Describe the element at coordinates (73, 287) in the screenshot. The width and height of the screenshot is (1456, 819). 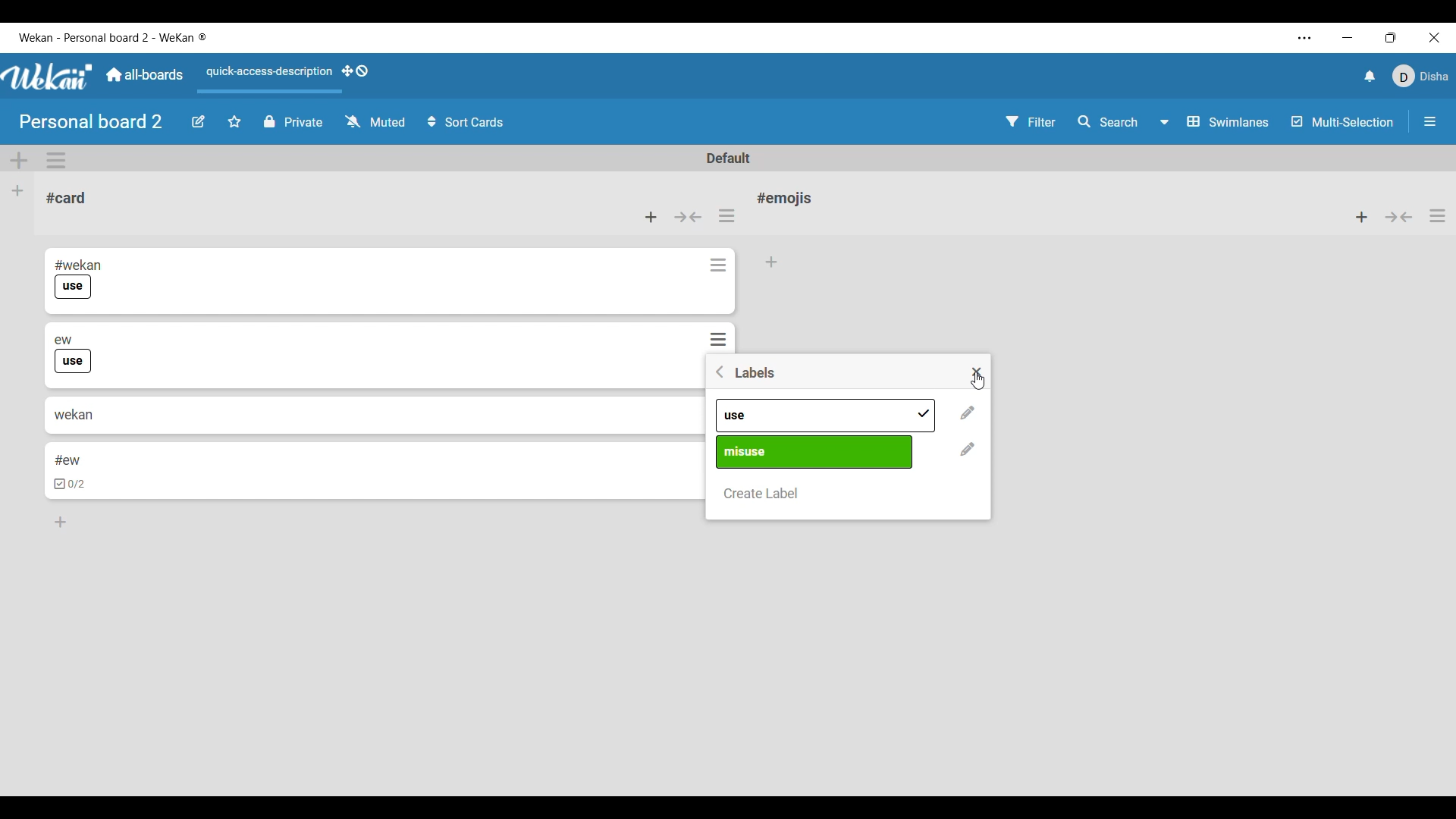
I see `use` at that location.